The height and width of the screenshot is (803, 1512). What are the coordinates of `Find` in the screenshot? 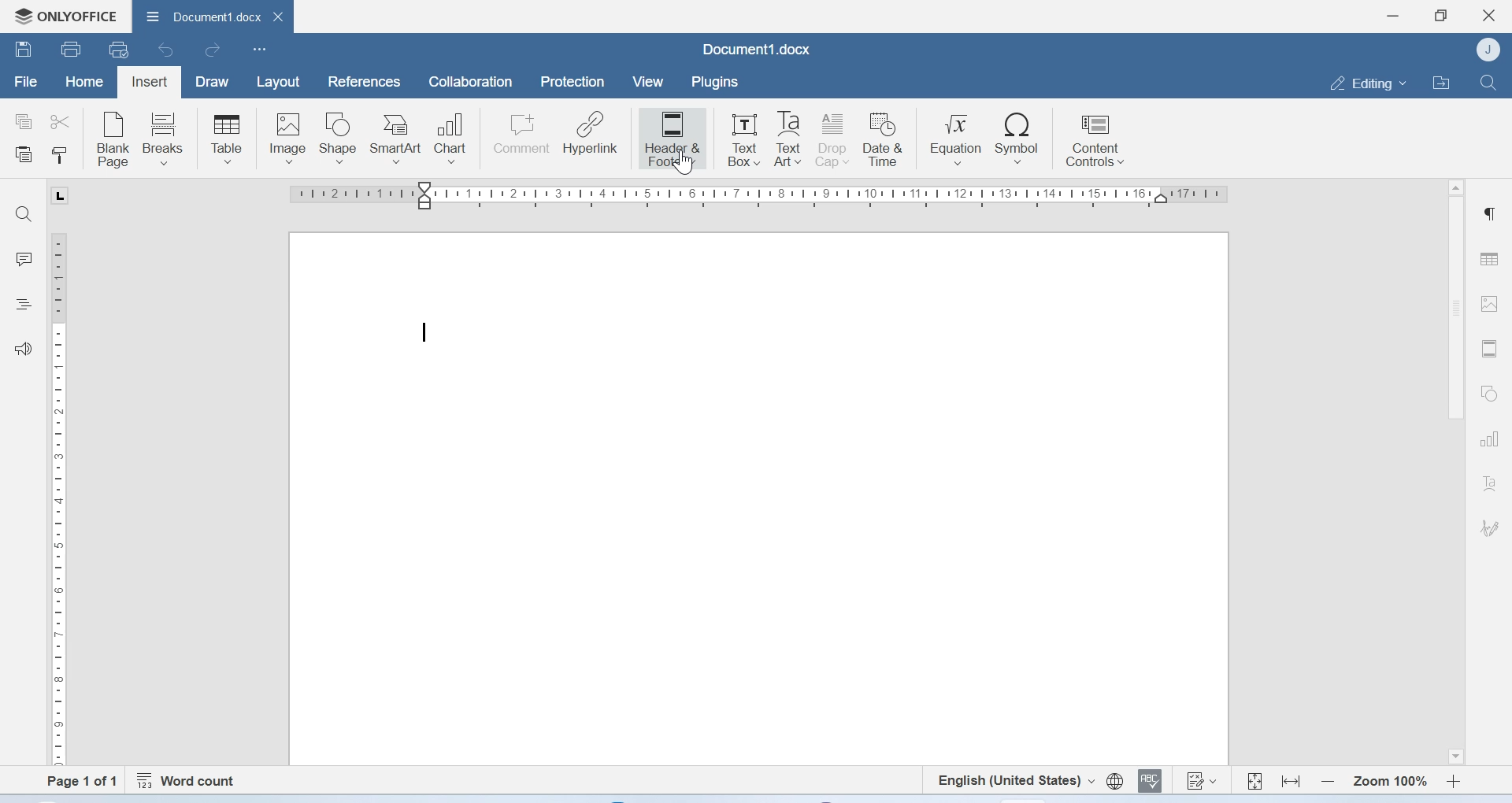 It's located at (28, 214).